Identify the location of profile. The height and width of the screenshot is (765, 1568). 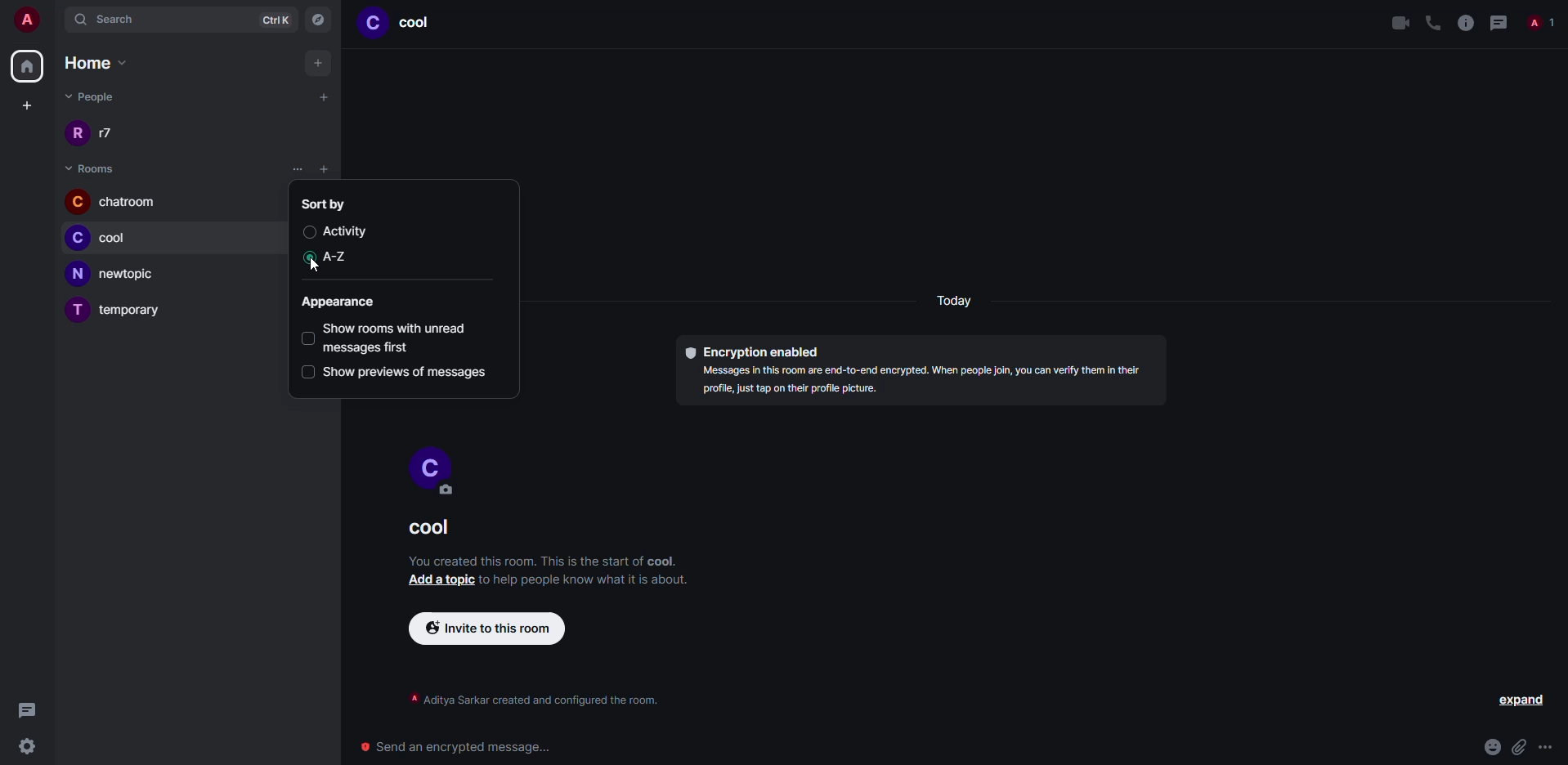
(76, 134).